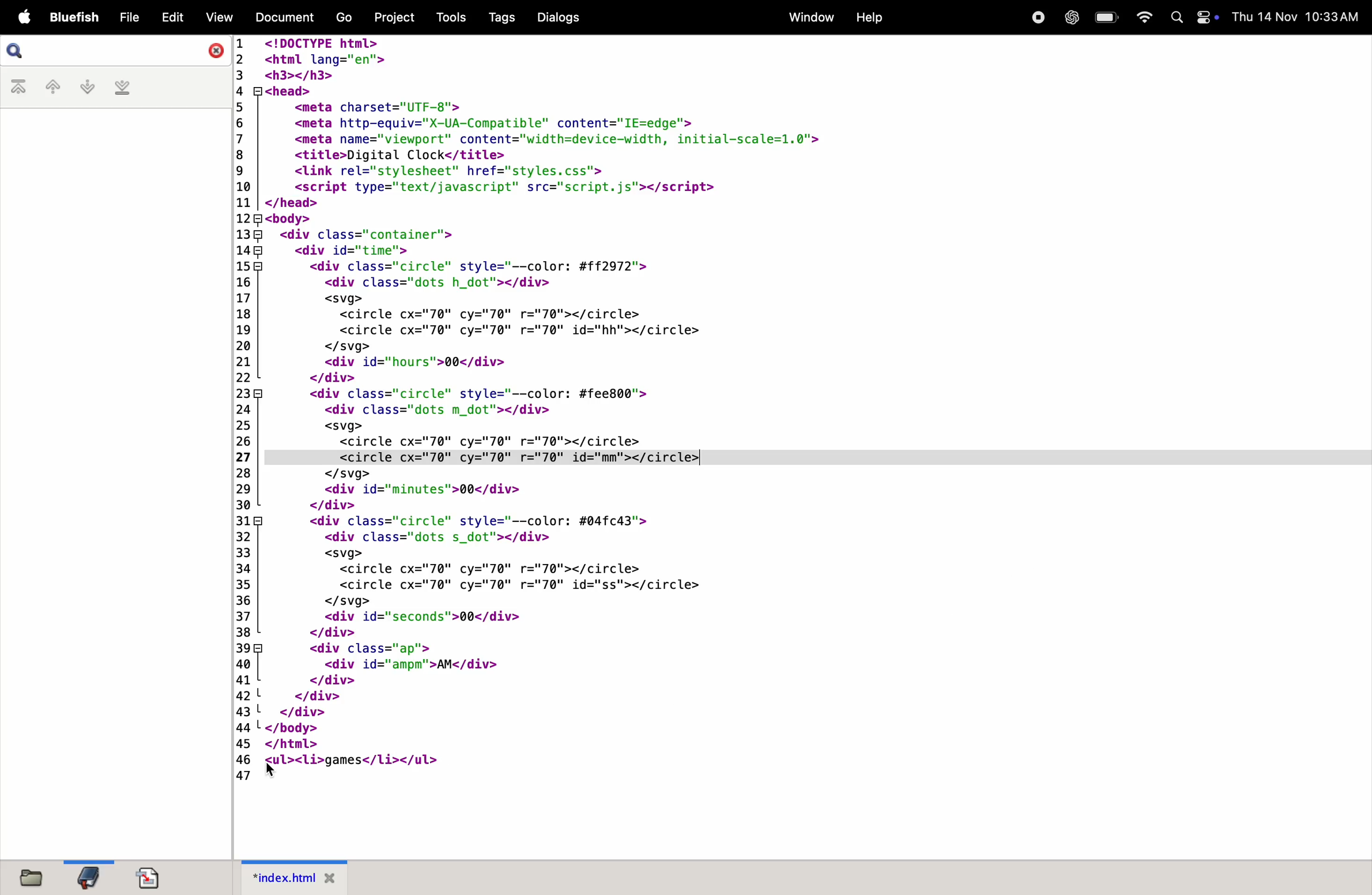  Describe the element at coordinates (808, 18) in the screenshot. I see `window` at that location.